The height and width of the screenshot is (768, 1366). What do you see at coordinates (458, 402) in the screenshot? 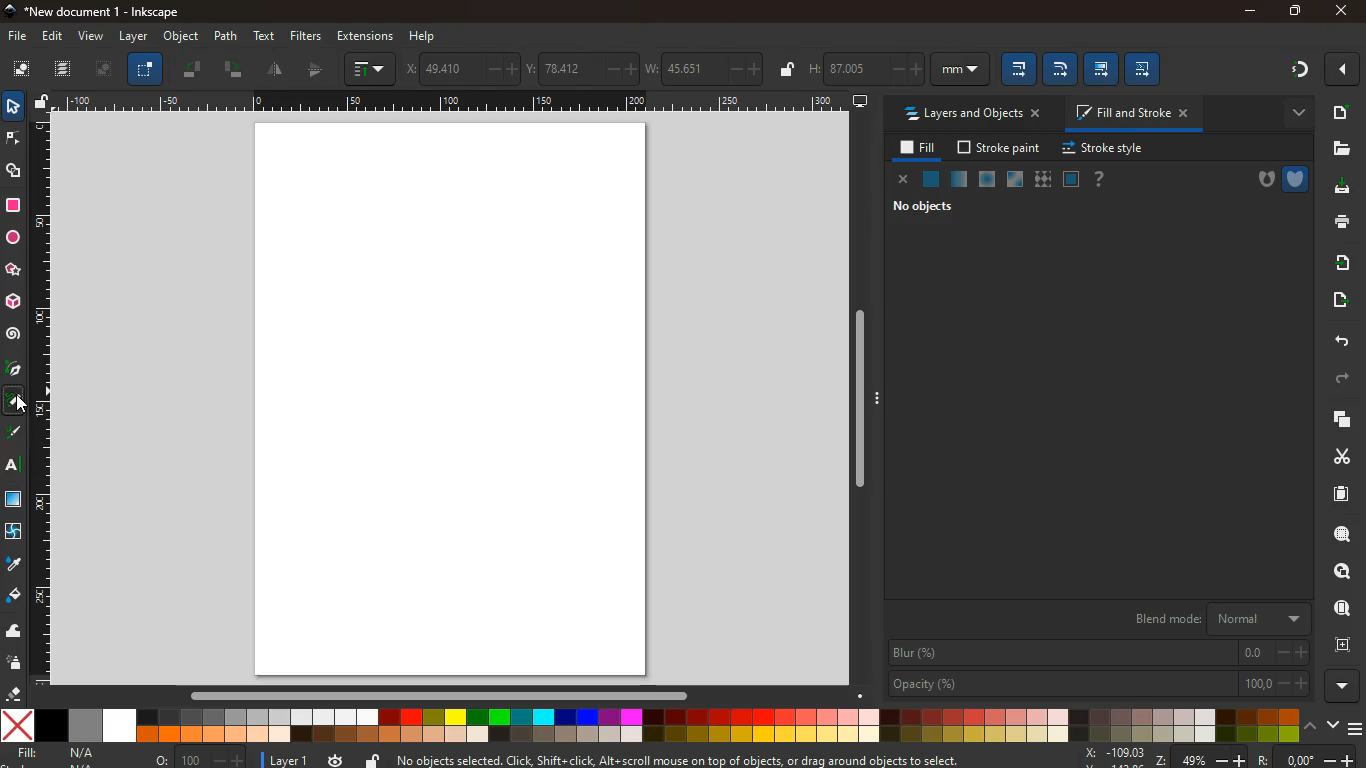
I see `screen` at bounding box center [458, 402].